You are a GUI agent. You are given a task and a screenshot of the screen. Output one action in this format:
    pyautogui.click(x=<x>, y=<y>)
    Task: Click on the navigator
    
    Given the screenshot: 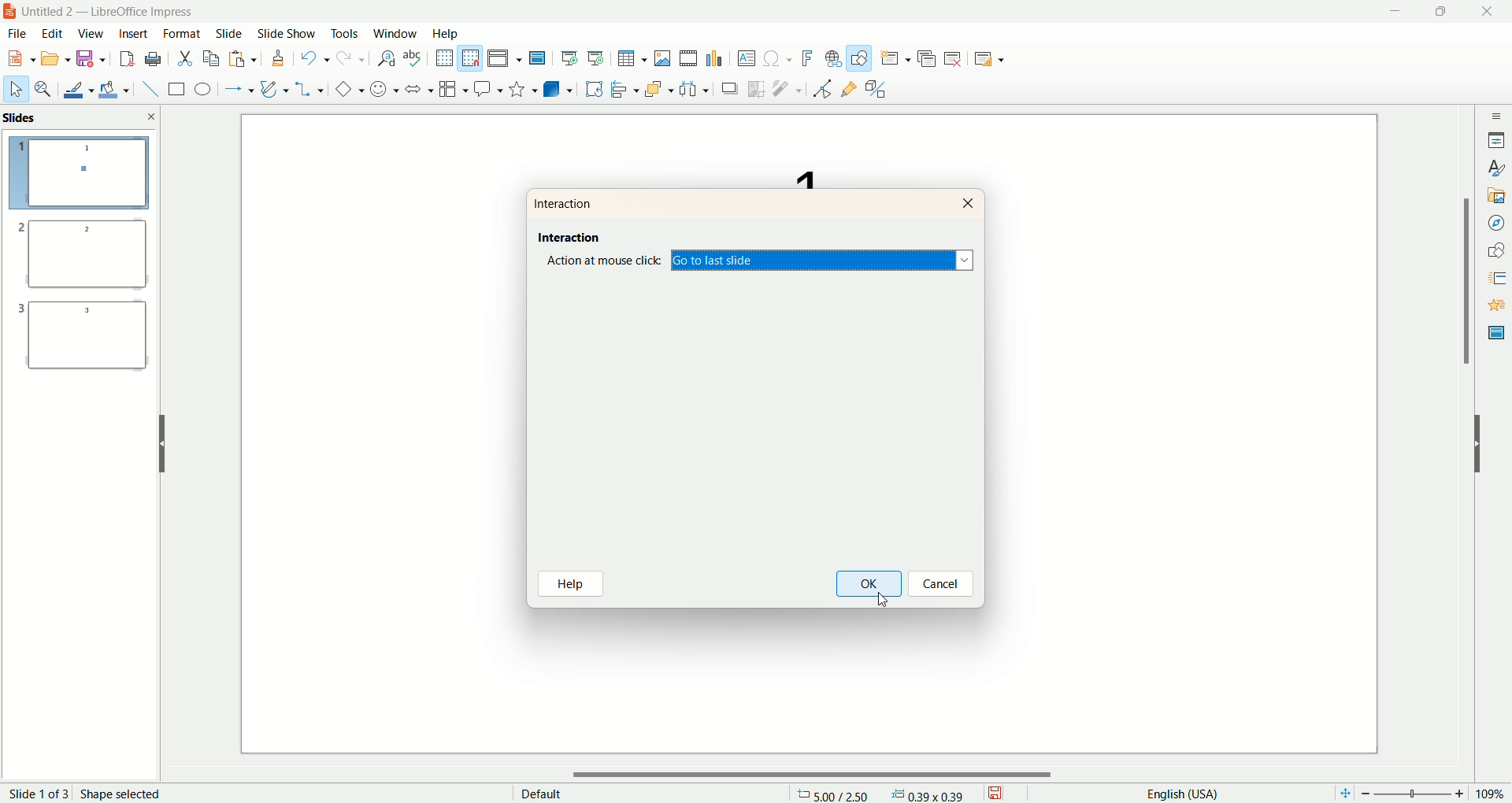 What is the action you would take?
    pyautogui.click(x=1495, y=223)
    